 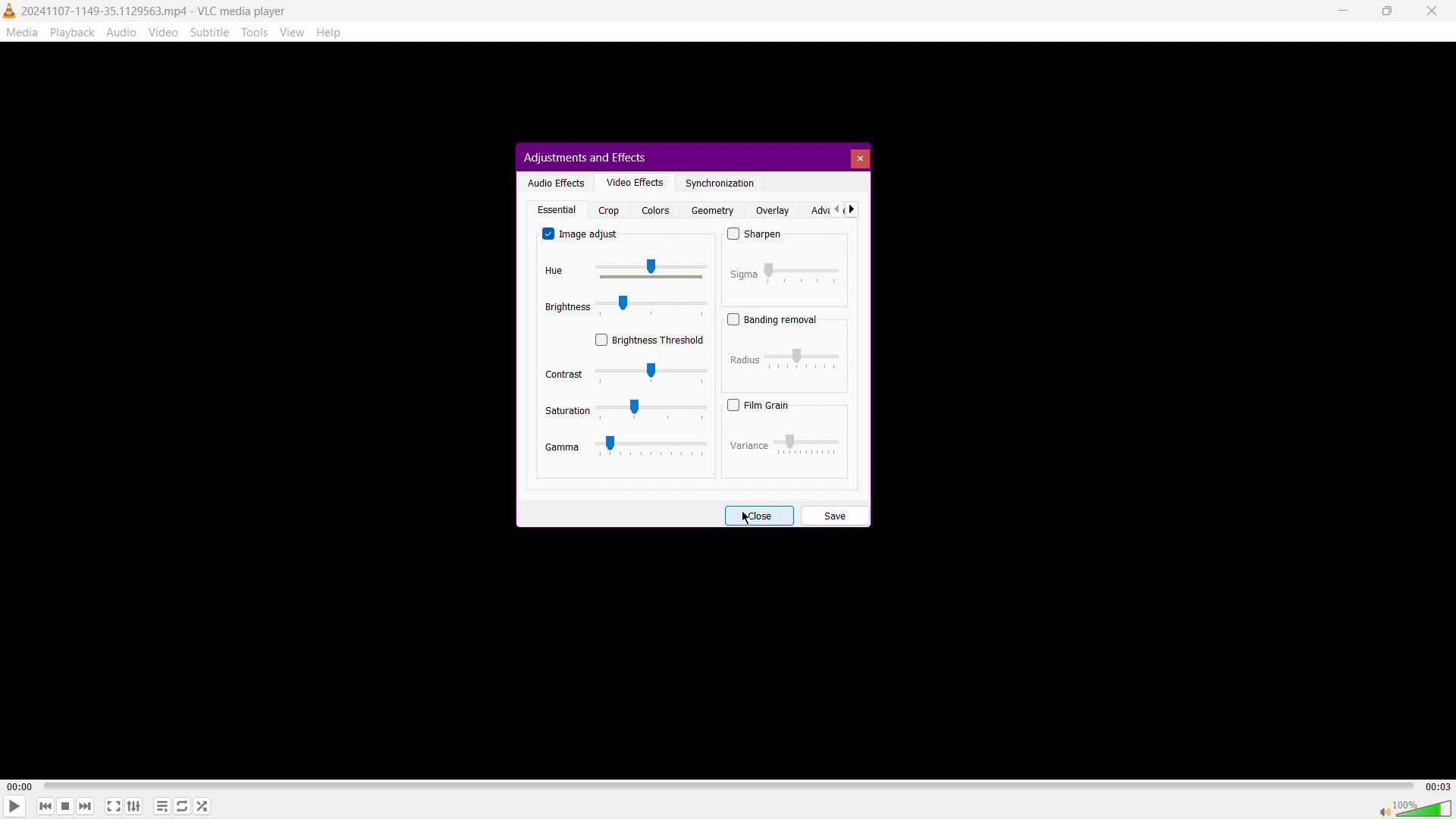 What do you see at coordinates (783, 443) in the screenshot?
I see `Variance` at bounding box center [783, 443].